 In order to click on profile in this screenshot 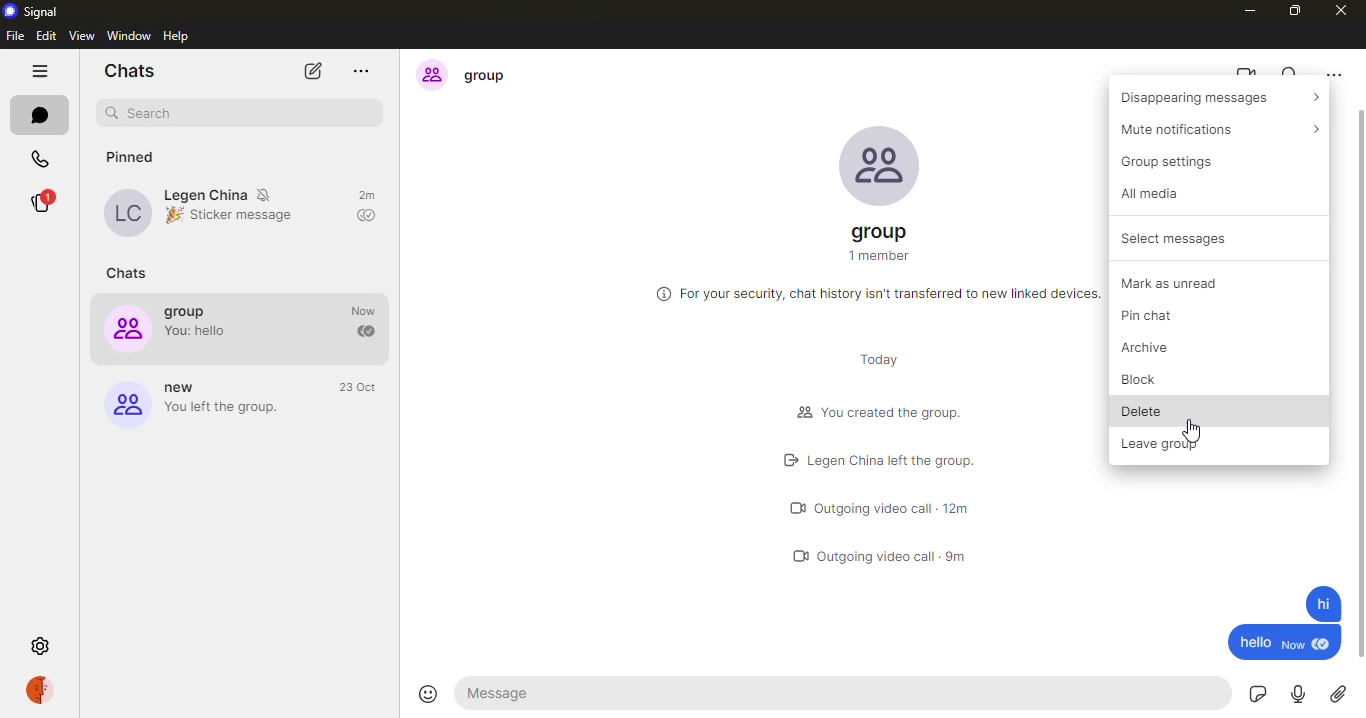, I will do `click(124, 213)`.